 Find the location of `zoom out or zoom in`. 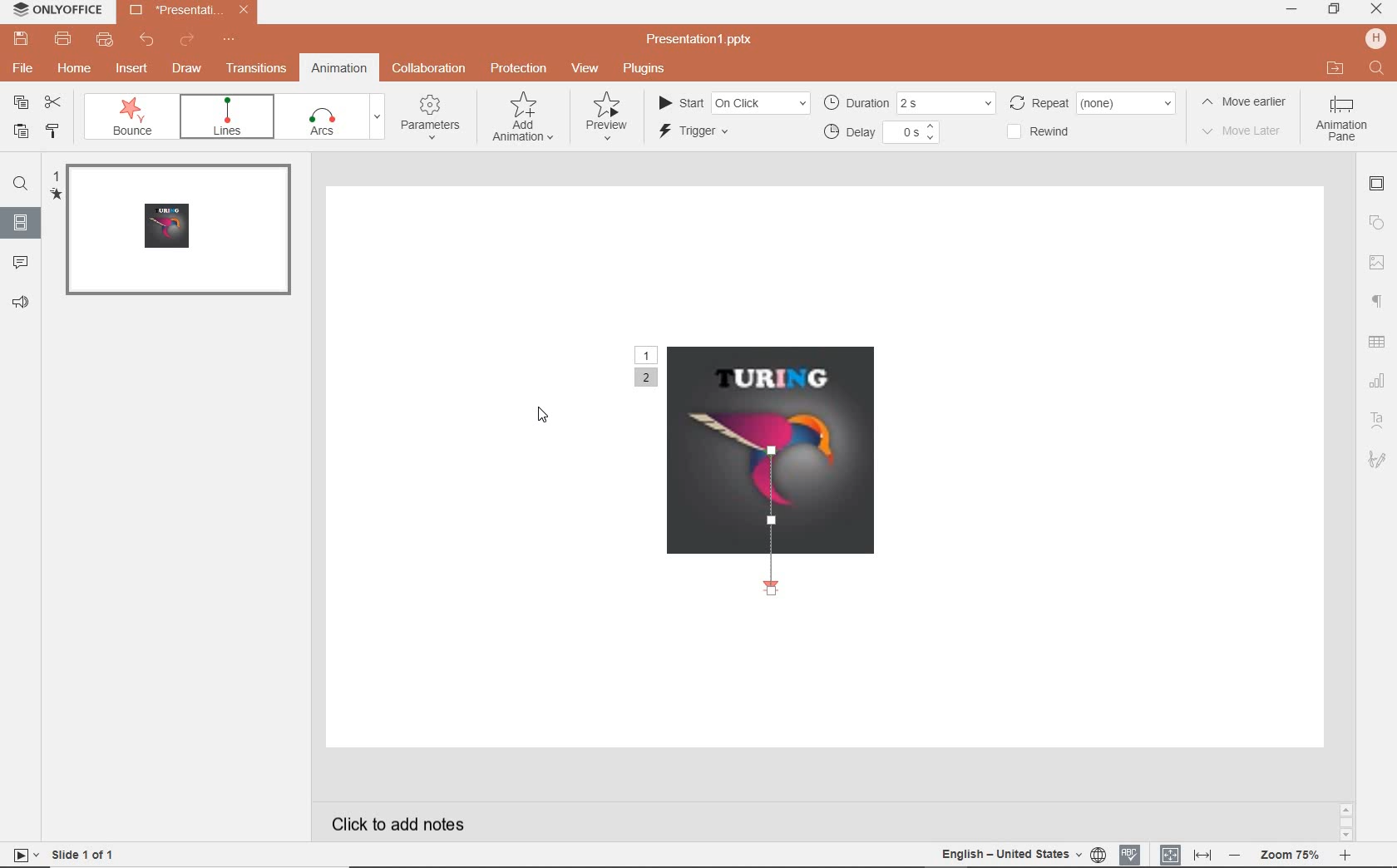

zoom out or zoom in is located at coordinates (1291, 856).